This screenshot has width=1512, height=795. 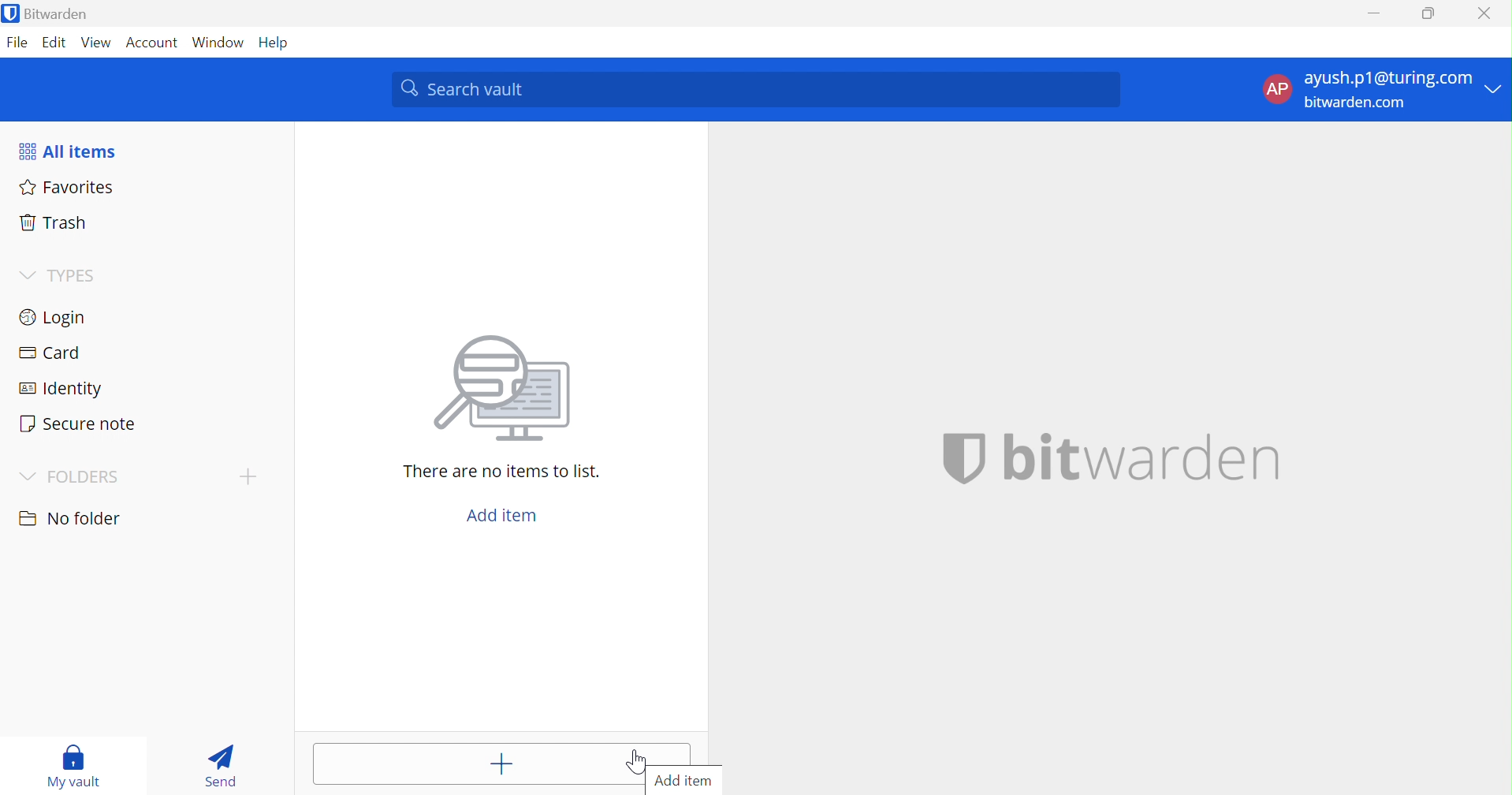 I want to click on Login, so click(x=56, y=319).